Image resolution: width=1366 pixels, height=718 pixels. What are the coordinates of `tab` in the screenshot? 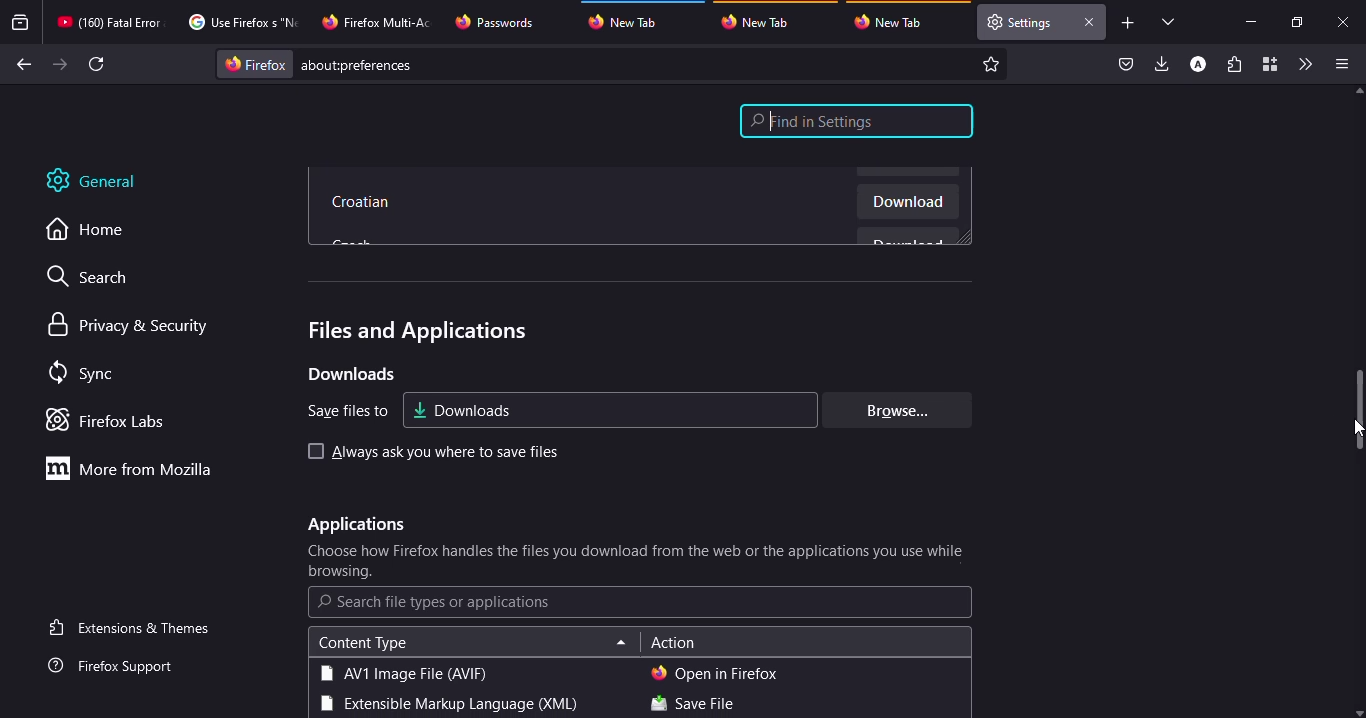 It's located at (632, 19).